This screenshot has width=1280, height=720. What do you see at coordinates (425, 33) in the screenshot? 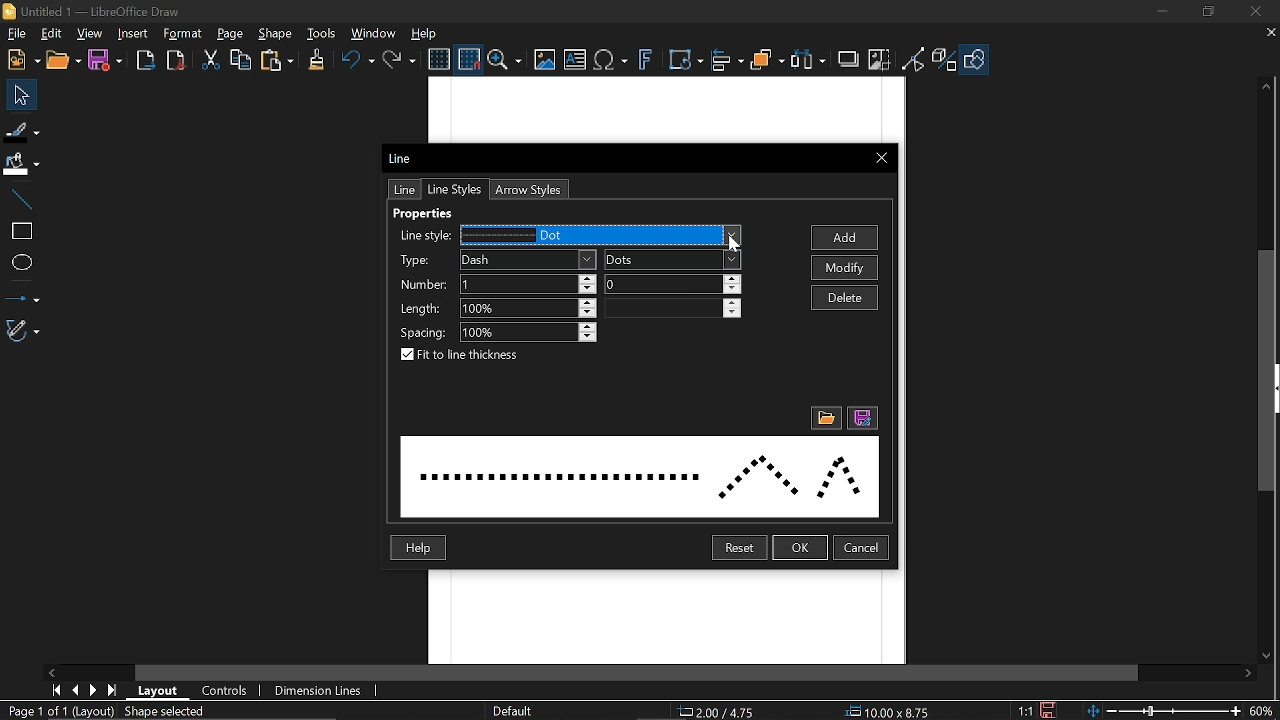
I see `Help` at bounding box center [425, 33].